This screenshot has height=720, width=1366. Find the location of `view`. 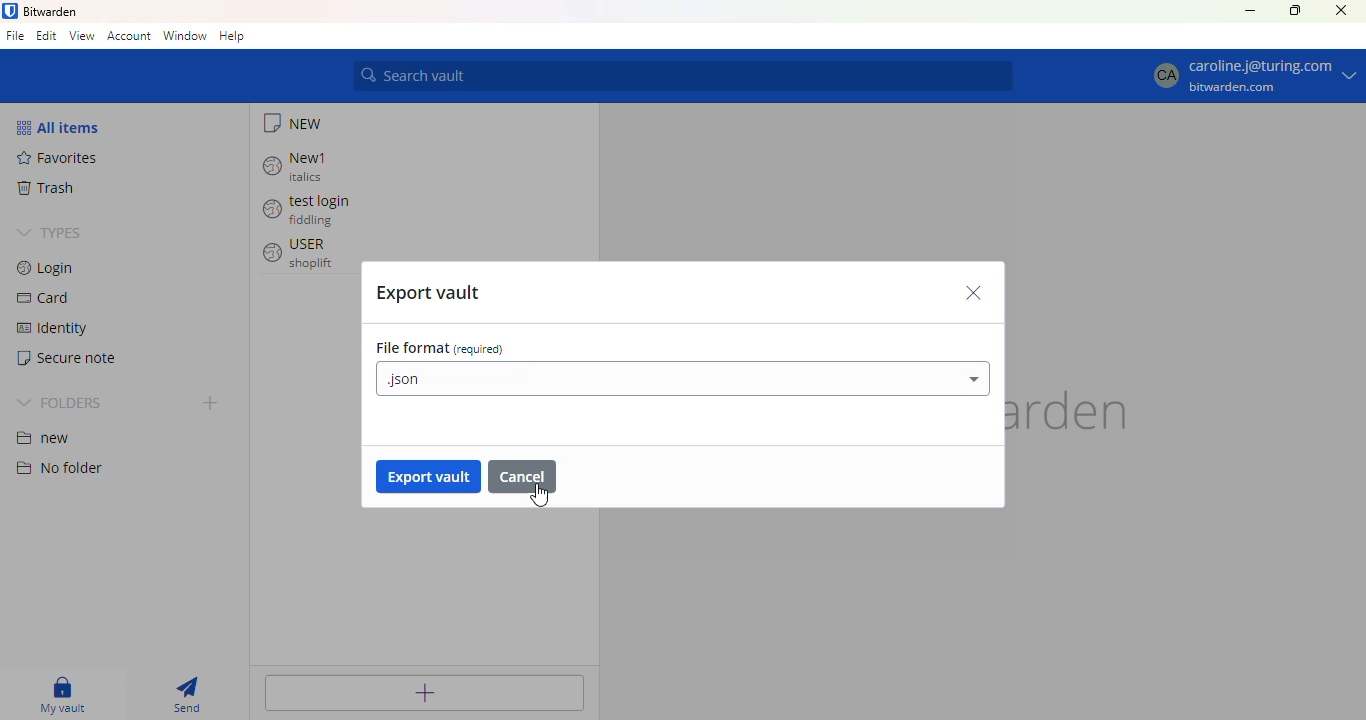

view is located at coordinates (83, 36).